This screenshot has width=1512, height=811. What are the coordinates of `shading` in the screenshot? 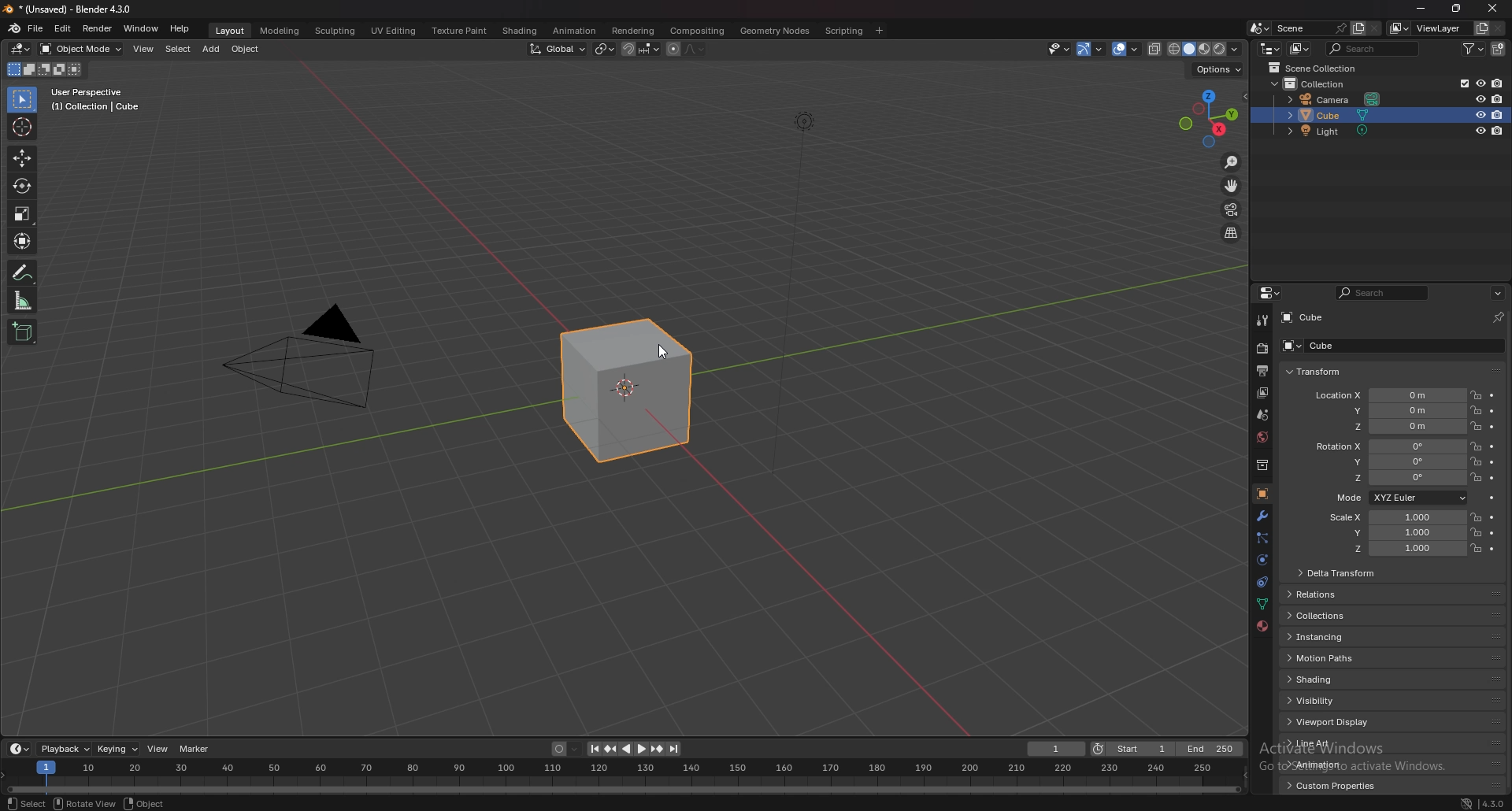 It's located at (521, 30).